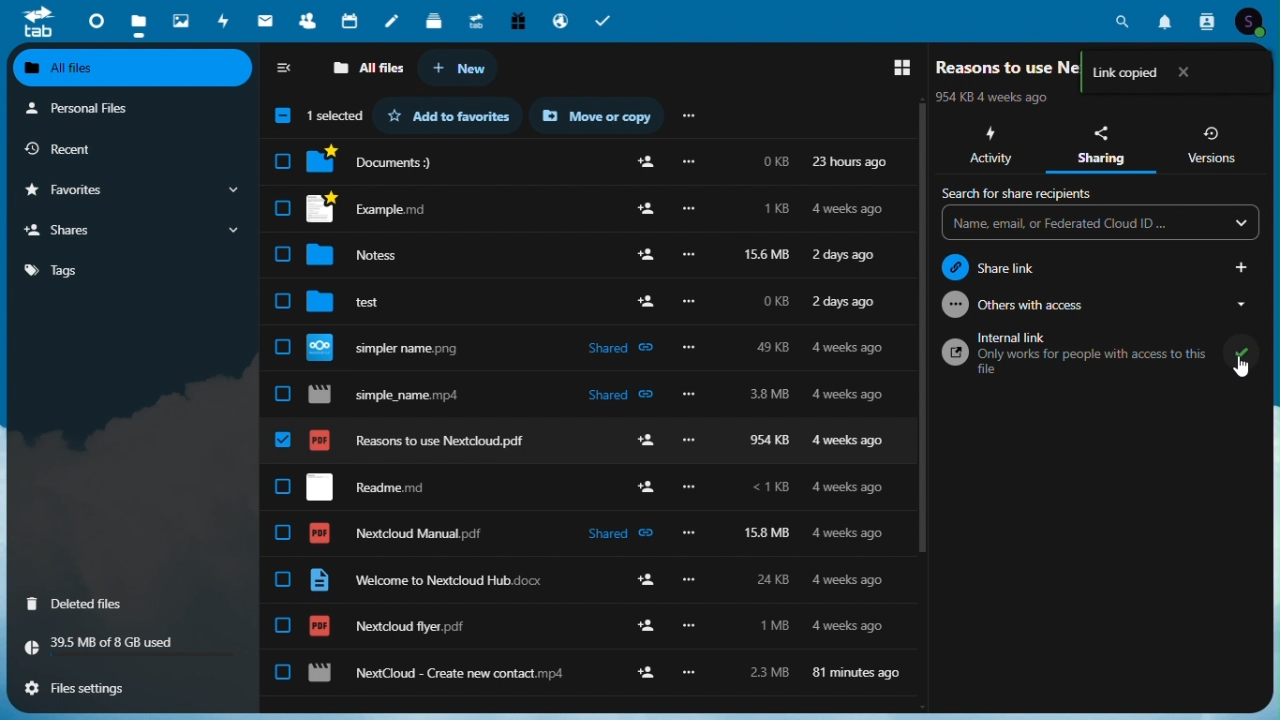 This screenshot has width=1280, height=720. I want to click on 954 kb, so click(765, 441).